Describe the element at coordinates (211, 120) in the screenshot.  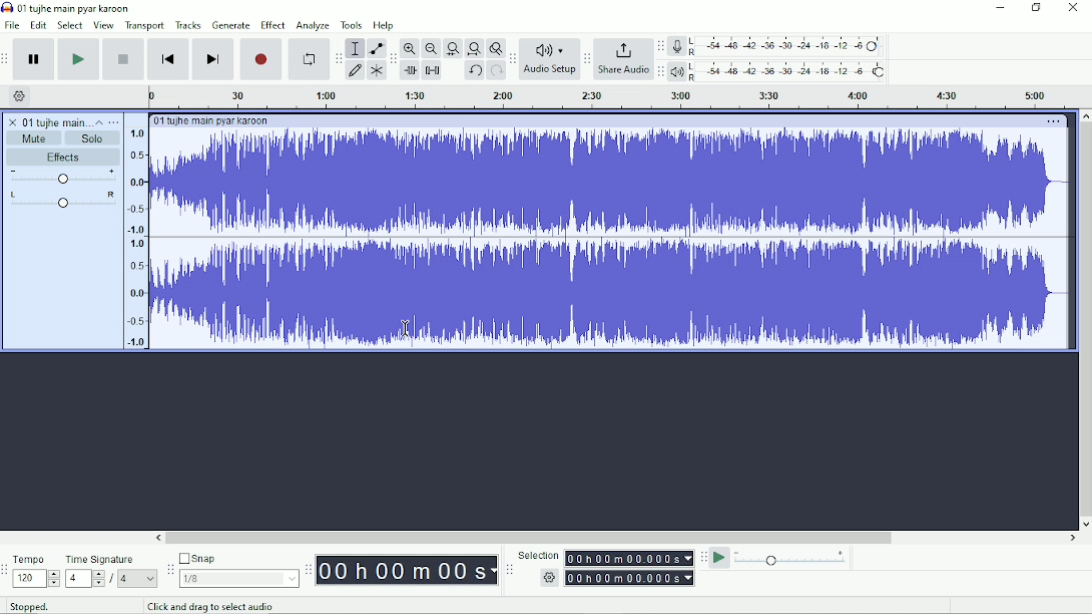
I see `Track title` at that location.